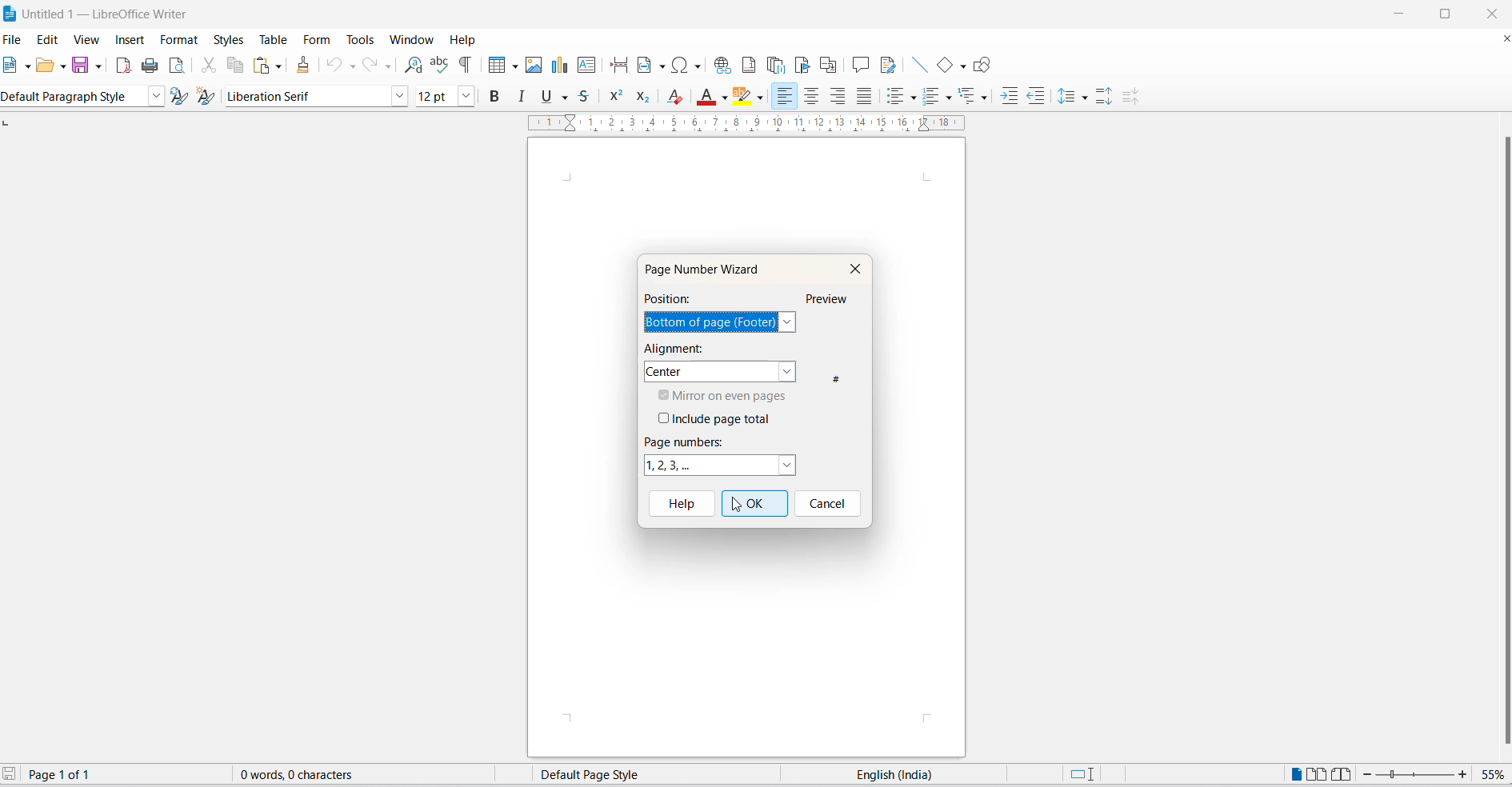 This screenshot has width=1512, height=787. Describe the element at coordinates (828, 64) in the screenshot. I see `insert cross reference` at that location.